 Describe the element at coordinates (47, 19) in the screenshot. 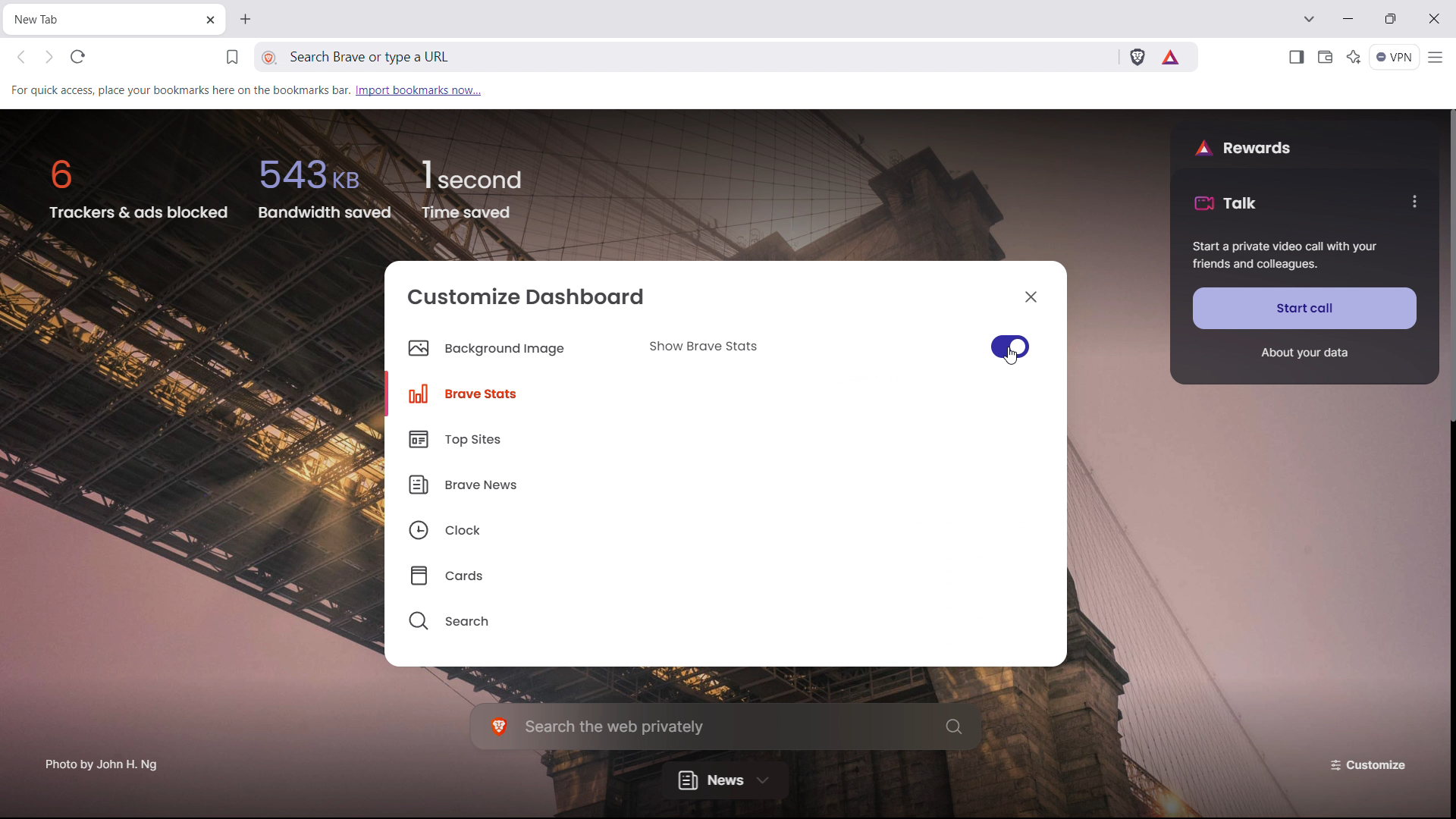

I see `tab title` at that location.